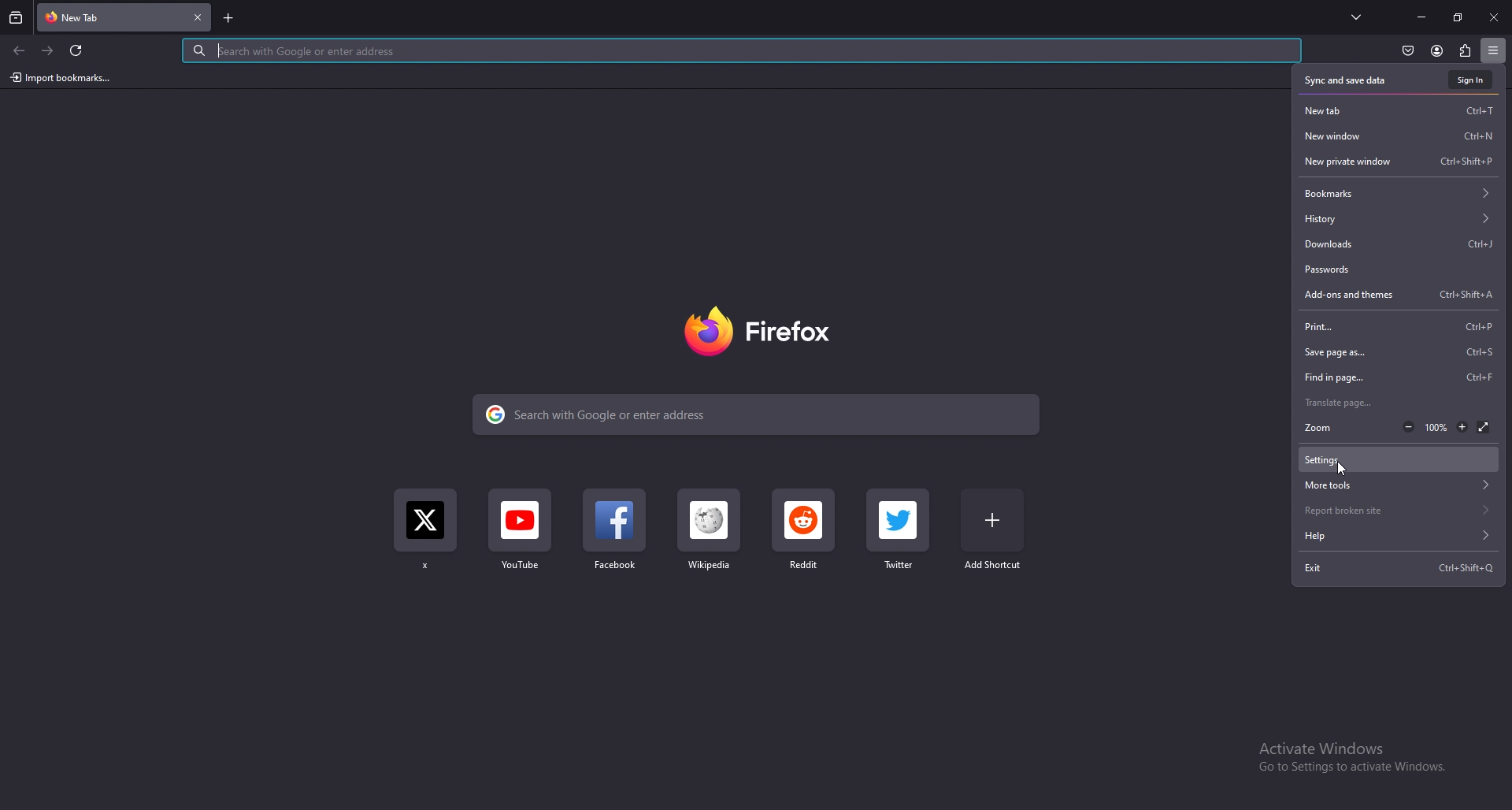 The height and width of the screenshot is (810, 1512). Describe the element at coordinates (1408, 428) in the screenshot. I see `zoom out` at that location.